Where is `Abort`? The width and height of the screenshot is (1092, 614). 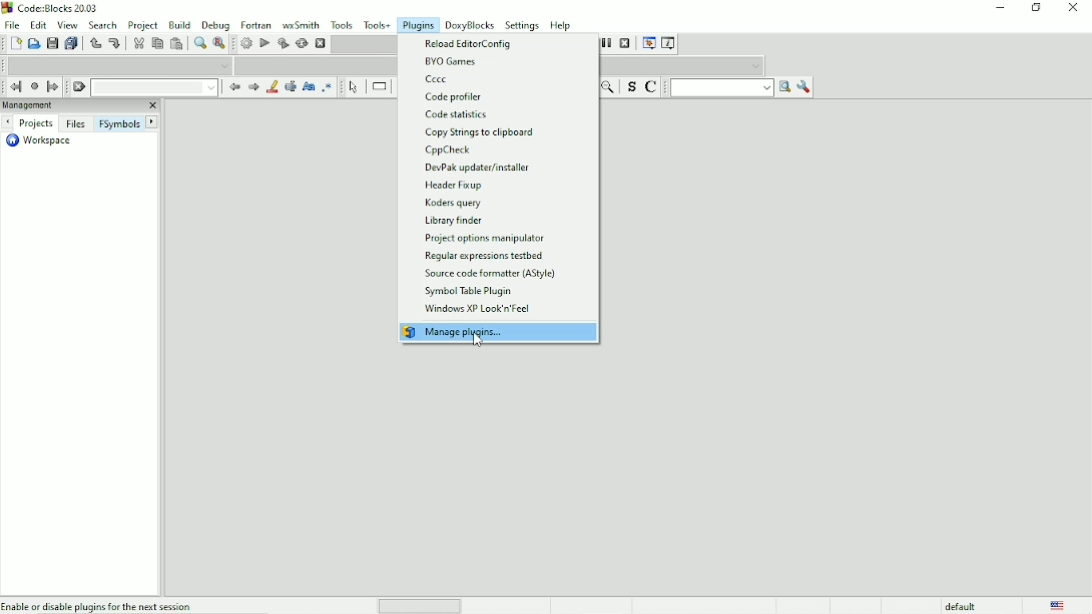
Abort is located at coordinates (320, 44).